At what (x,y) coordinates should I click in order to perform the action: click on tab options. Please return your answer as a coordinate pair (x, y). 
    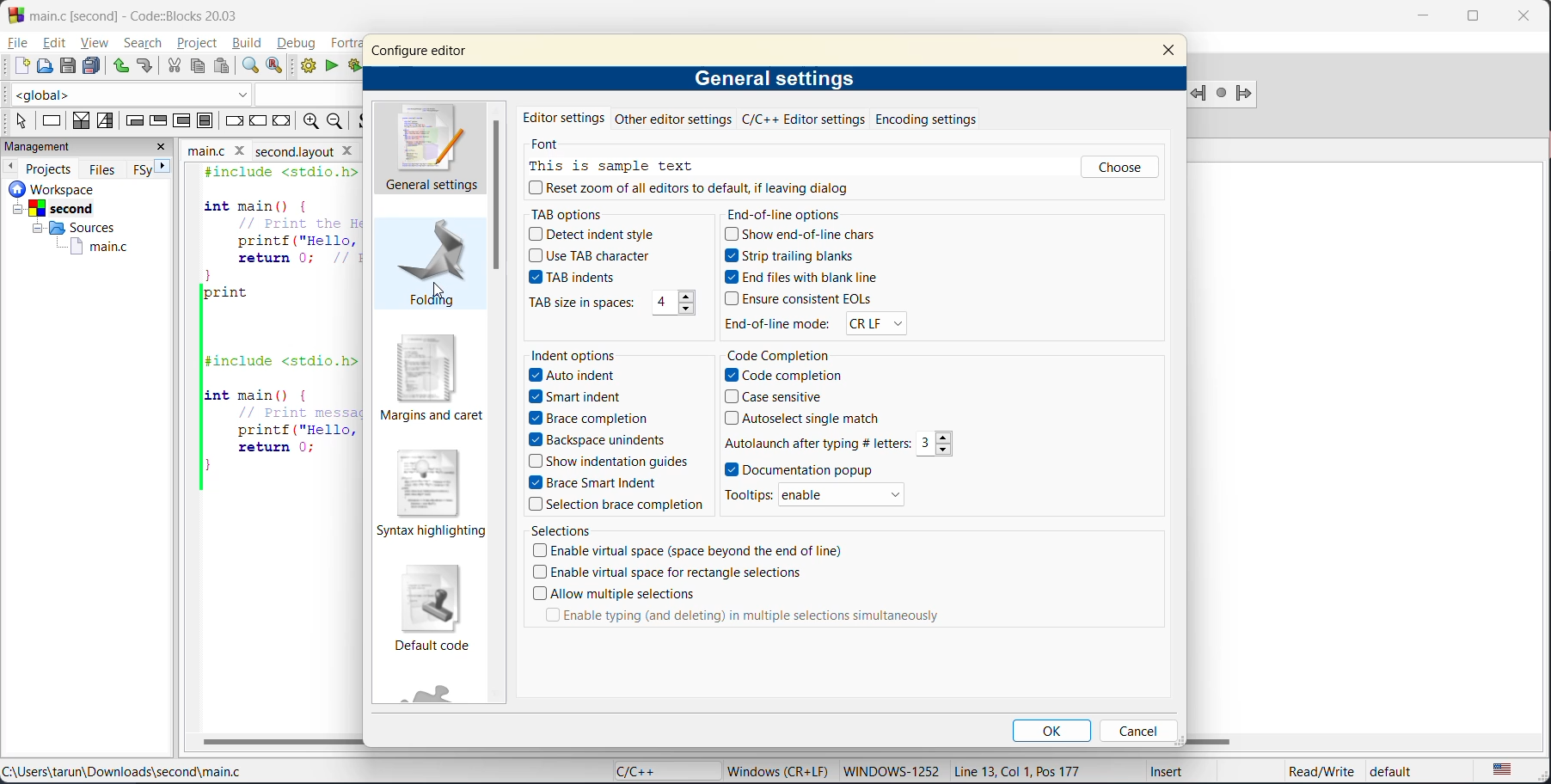
    Looking at the image, I should click on (616, 212).